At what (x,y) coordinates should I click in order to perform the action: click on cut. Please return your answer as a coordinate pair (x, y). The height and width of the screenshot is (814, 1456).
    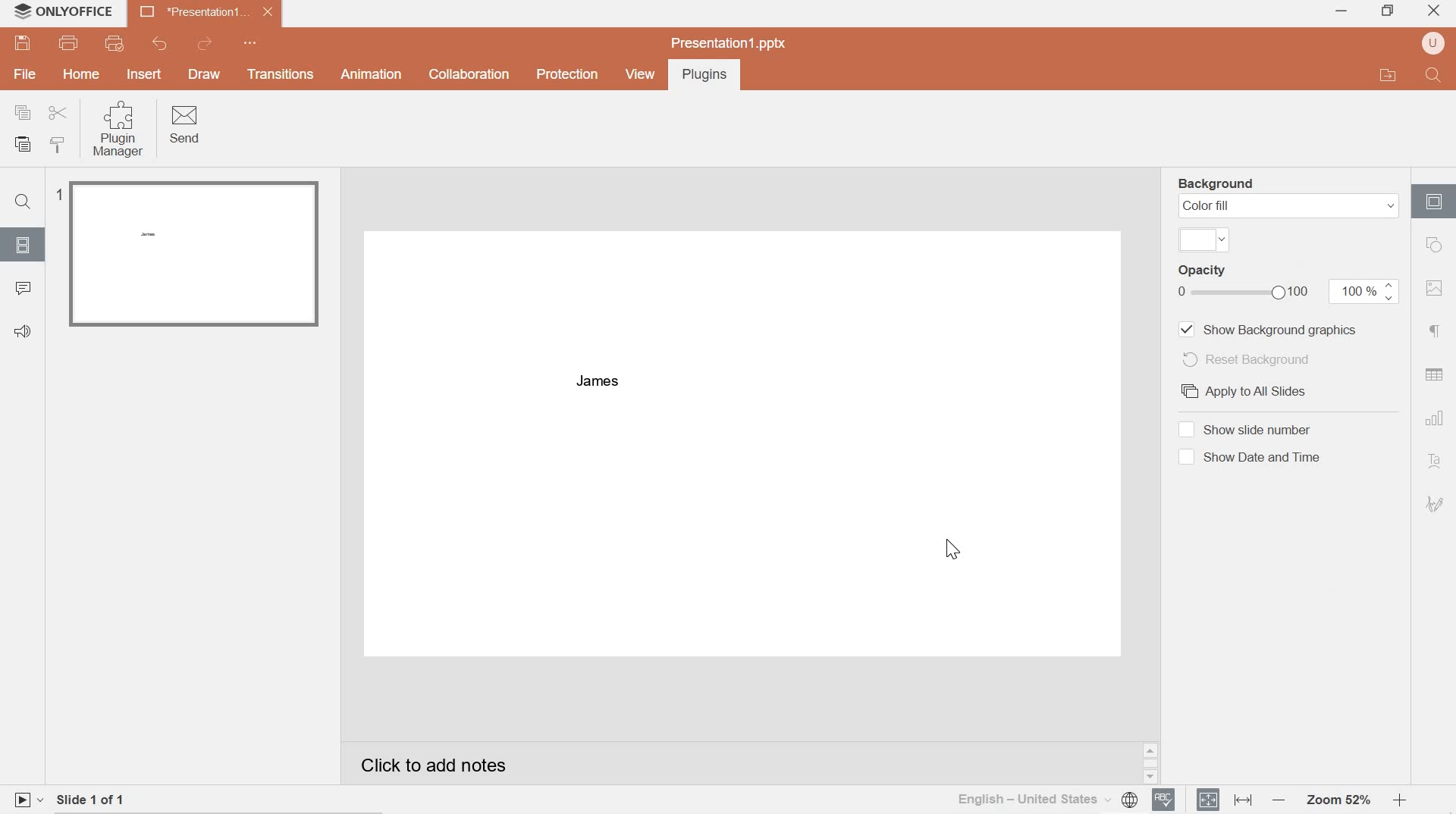
    Looking at the image, I should click on (58, 112).